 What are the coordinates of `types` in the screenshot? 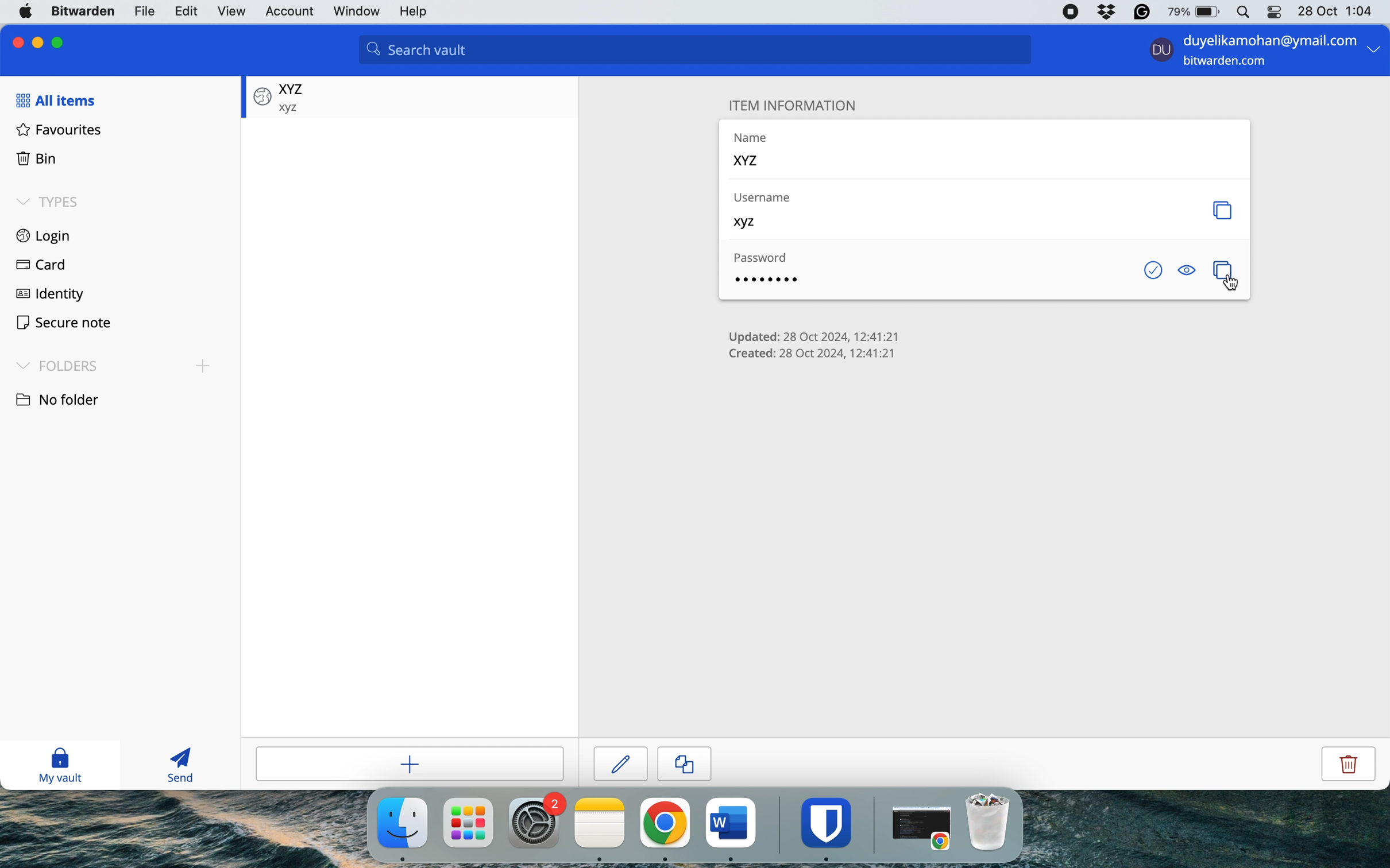 It's located at (53, 203).